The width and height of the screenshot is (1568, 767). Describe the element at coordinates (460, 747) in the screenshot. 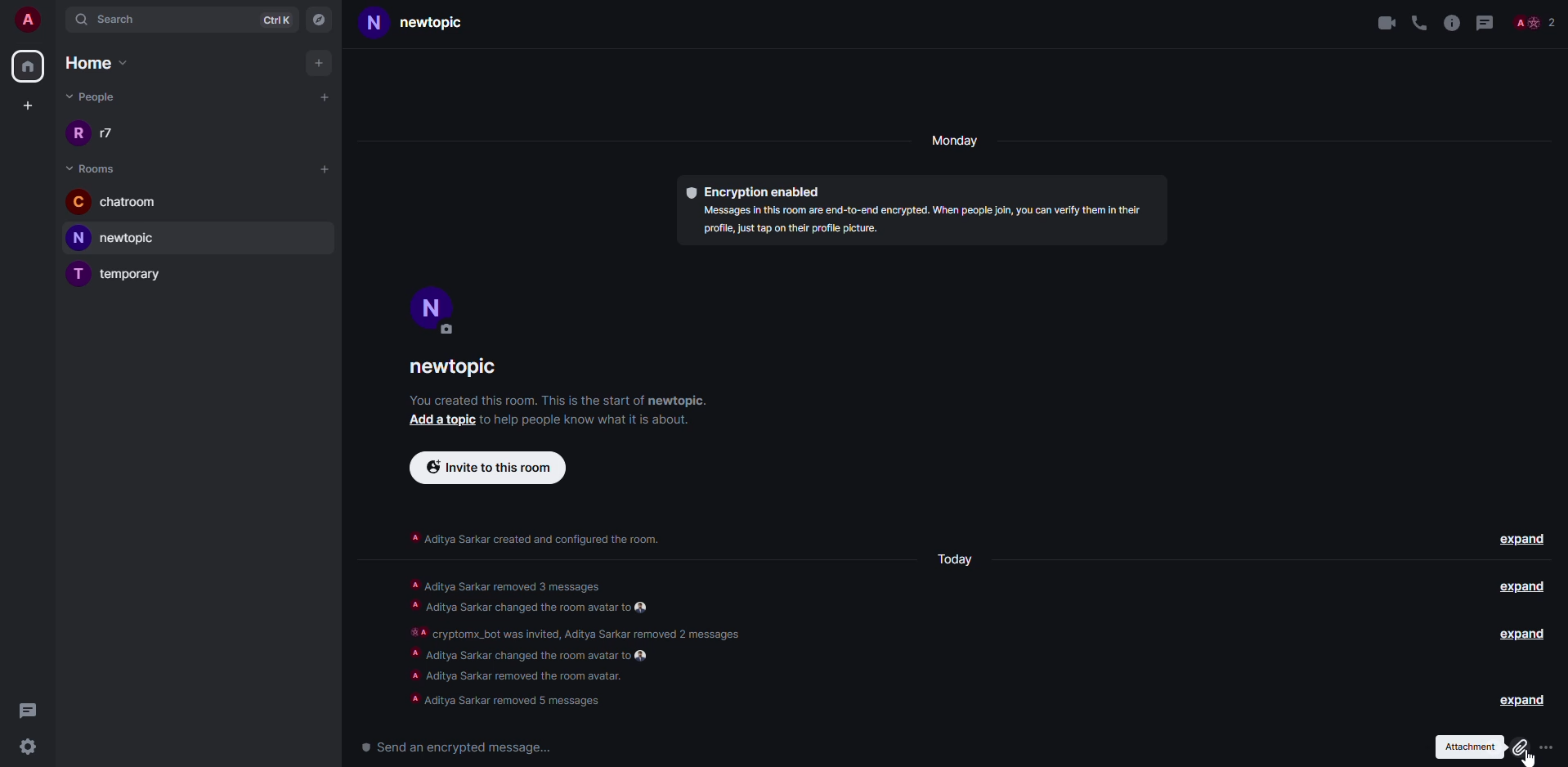

I see `send a encrypted message` at that location.